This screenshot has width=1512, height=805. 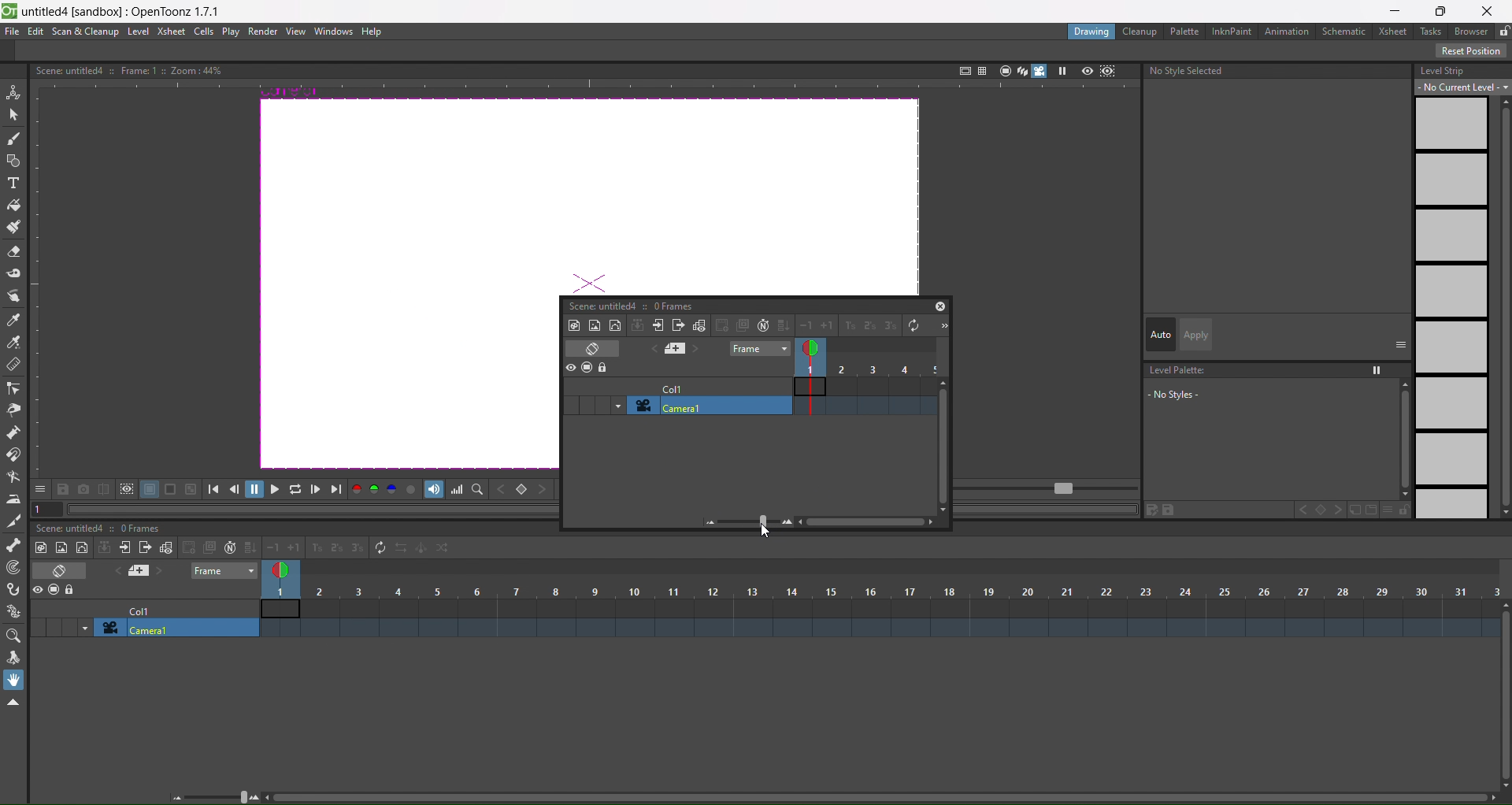 What do you see at coordinates (658, 325) in the screenshot?
I see `open x subsheet` at bounding box center [658, 325].